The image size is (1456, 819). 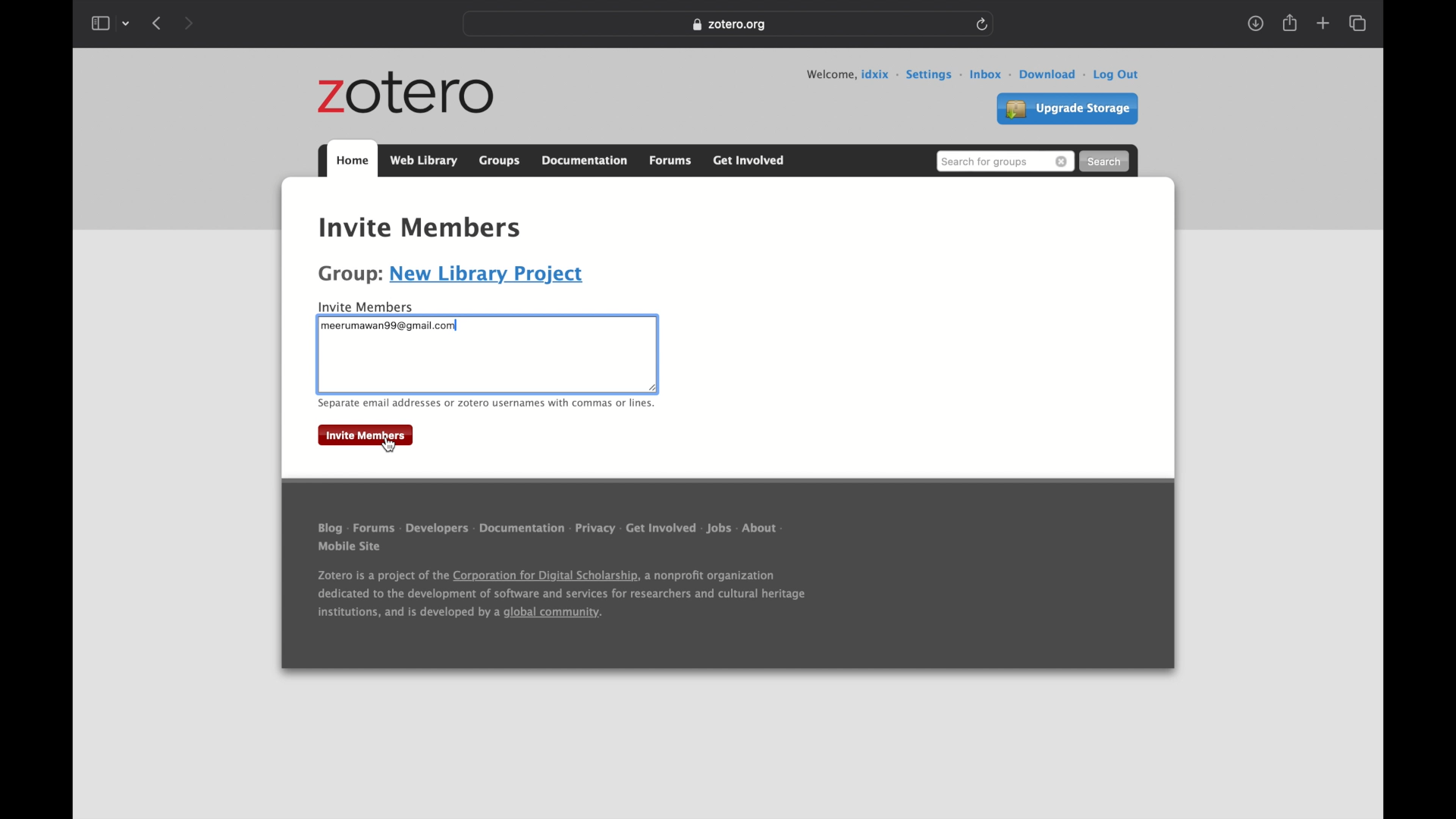 What do you see at coordinates (188, 23) in the screenshot?
I see `show next page` at bounding box center [188, 23].